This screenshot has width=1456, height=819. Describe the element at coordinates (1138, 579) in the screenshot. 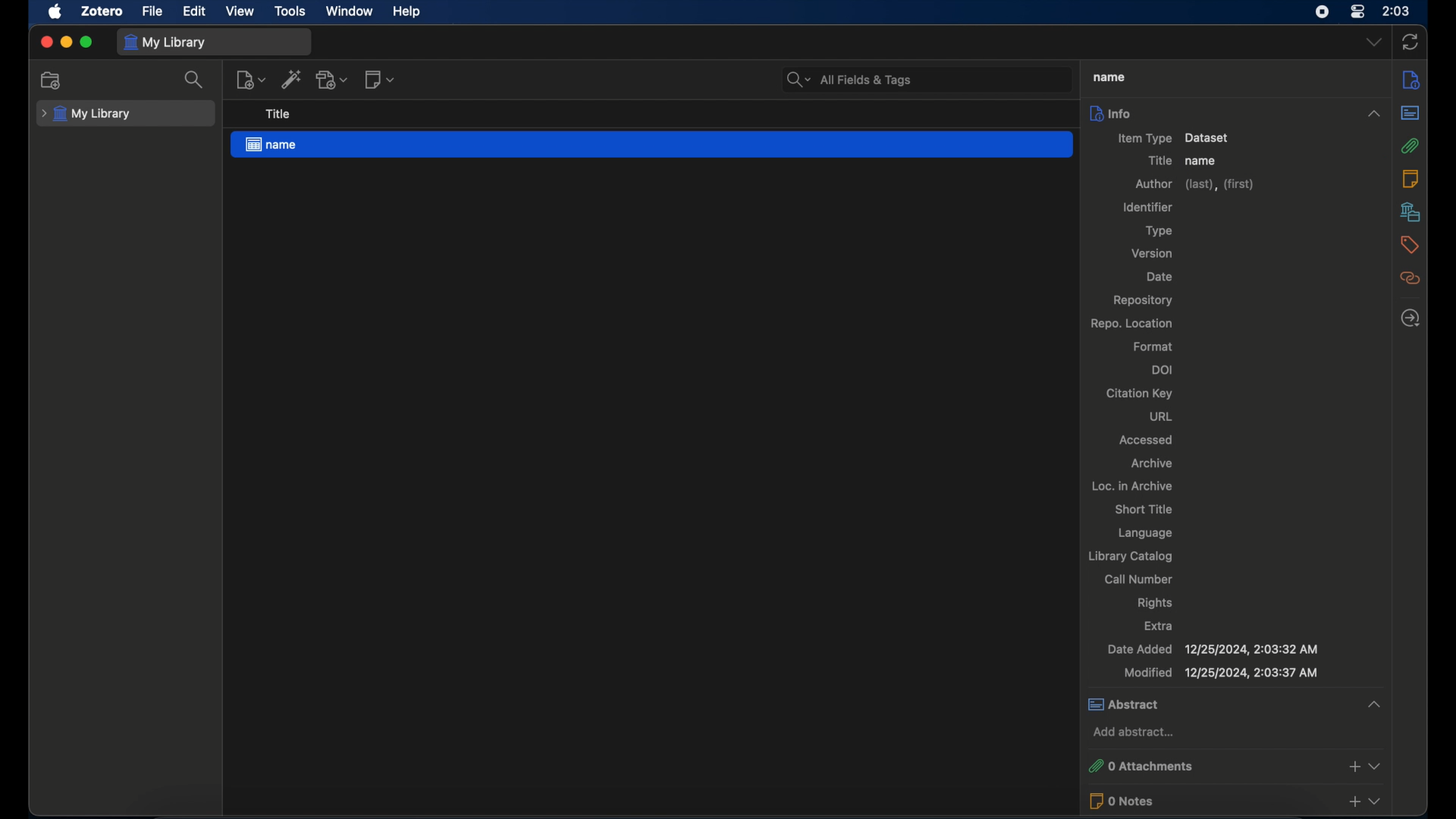

I see `call number` at that location.